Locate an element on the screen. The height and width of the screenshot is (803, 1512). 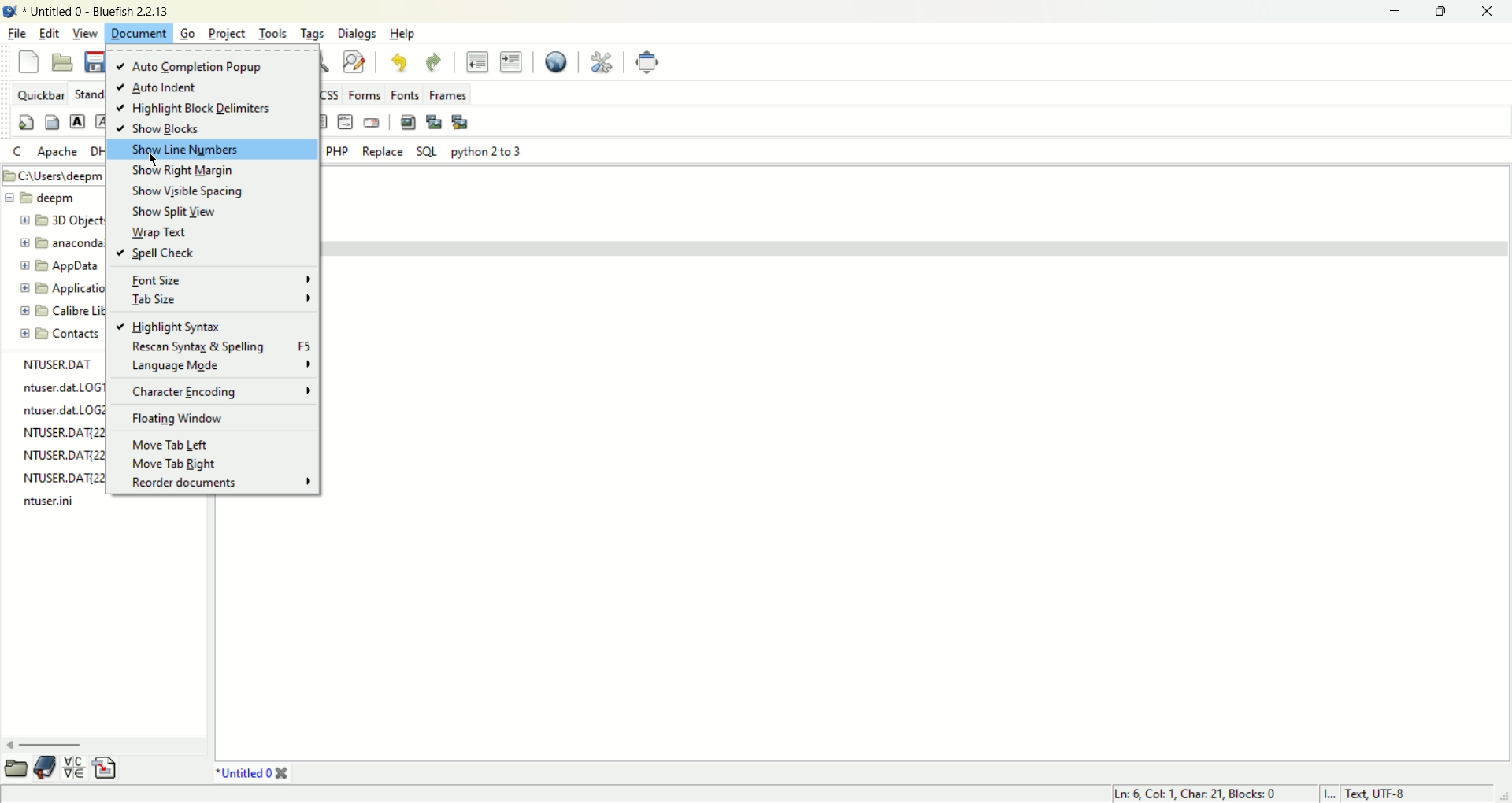
insert image is located at coordinates (408, 122).